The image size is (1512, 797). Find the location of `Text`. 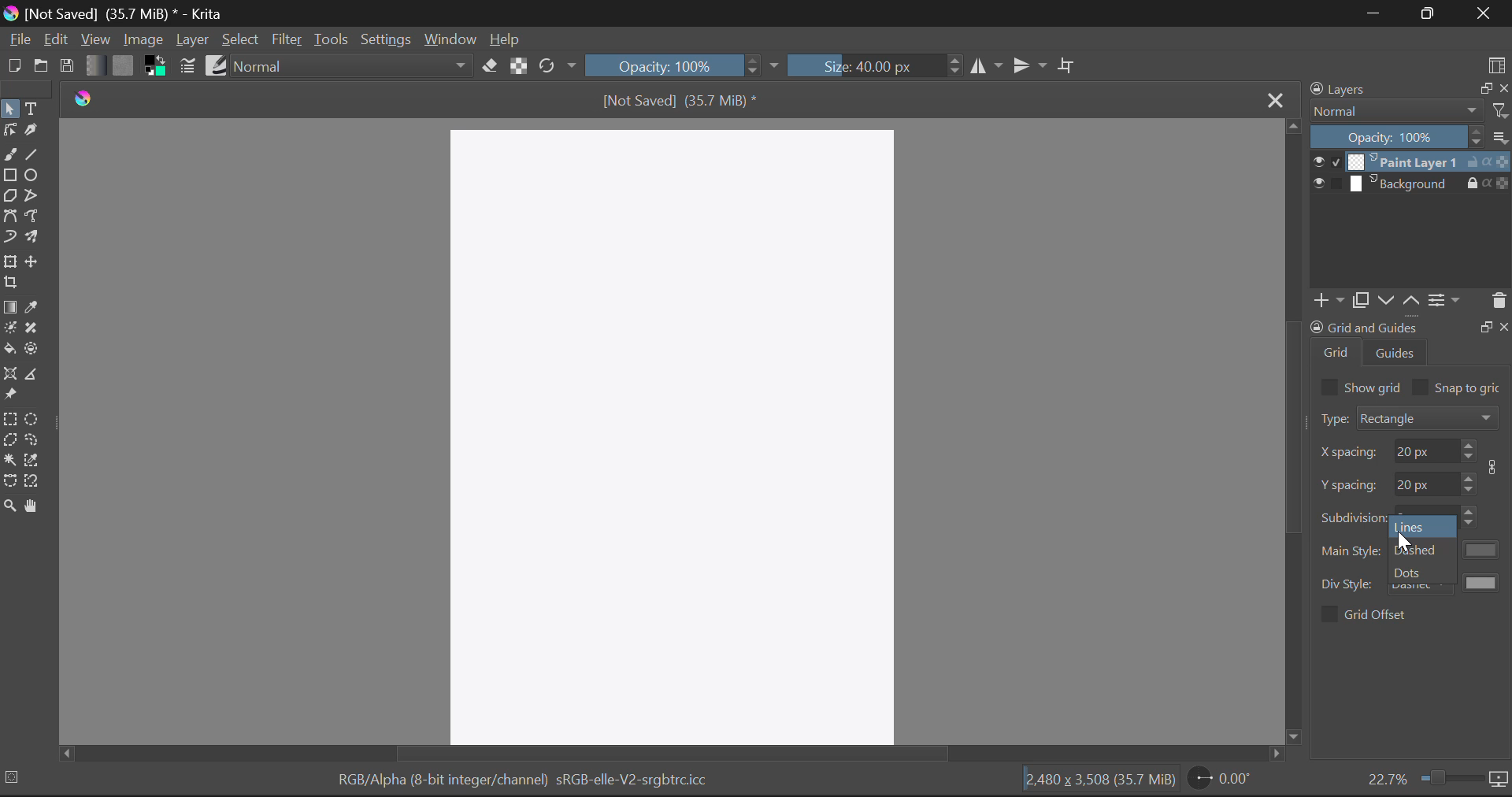

Text is located at coordinates (34, 109).